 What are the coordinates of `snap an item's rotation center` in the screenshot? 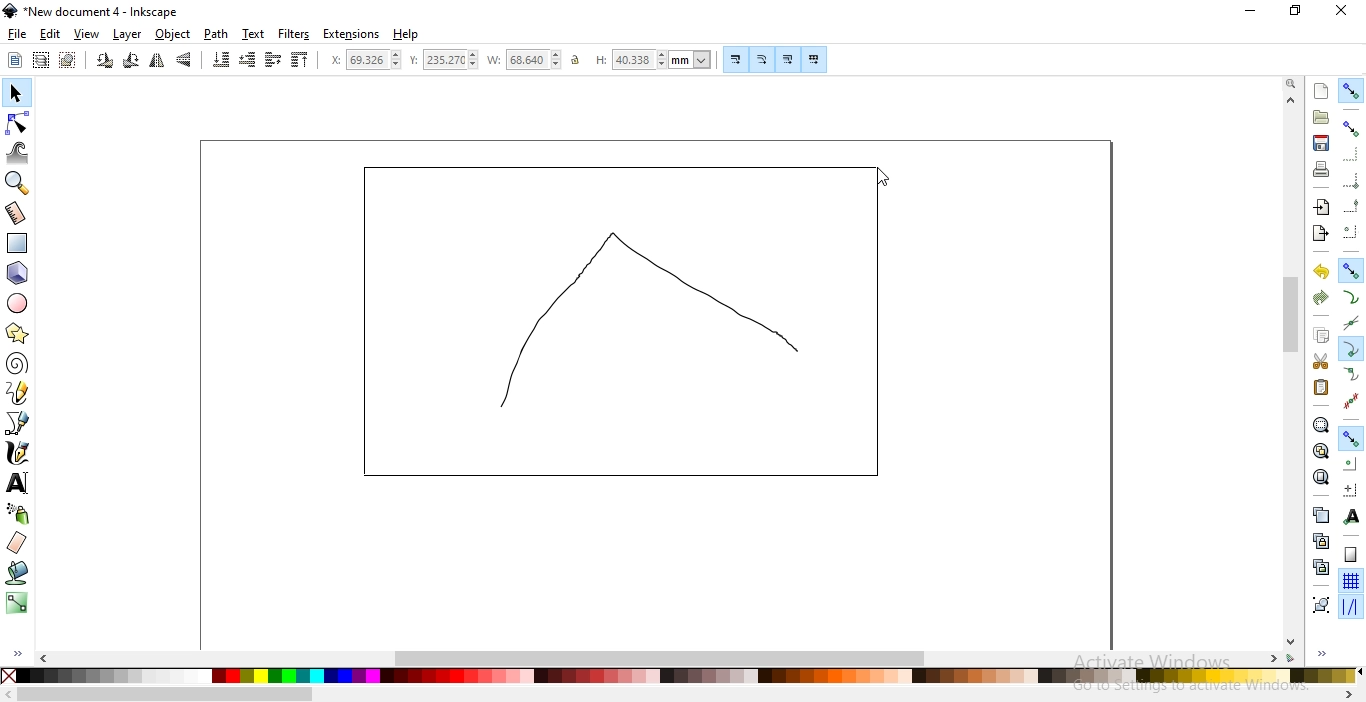 It's located at (1350, 489).